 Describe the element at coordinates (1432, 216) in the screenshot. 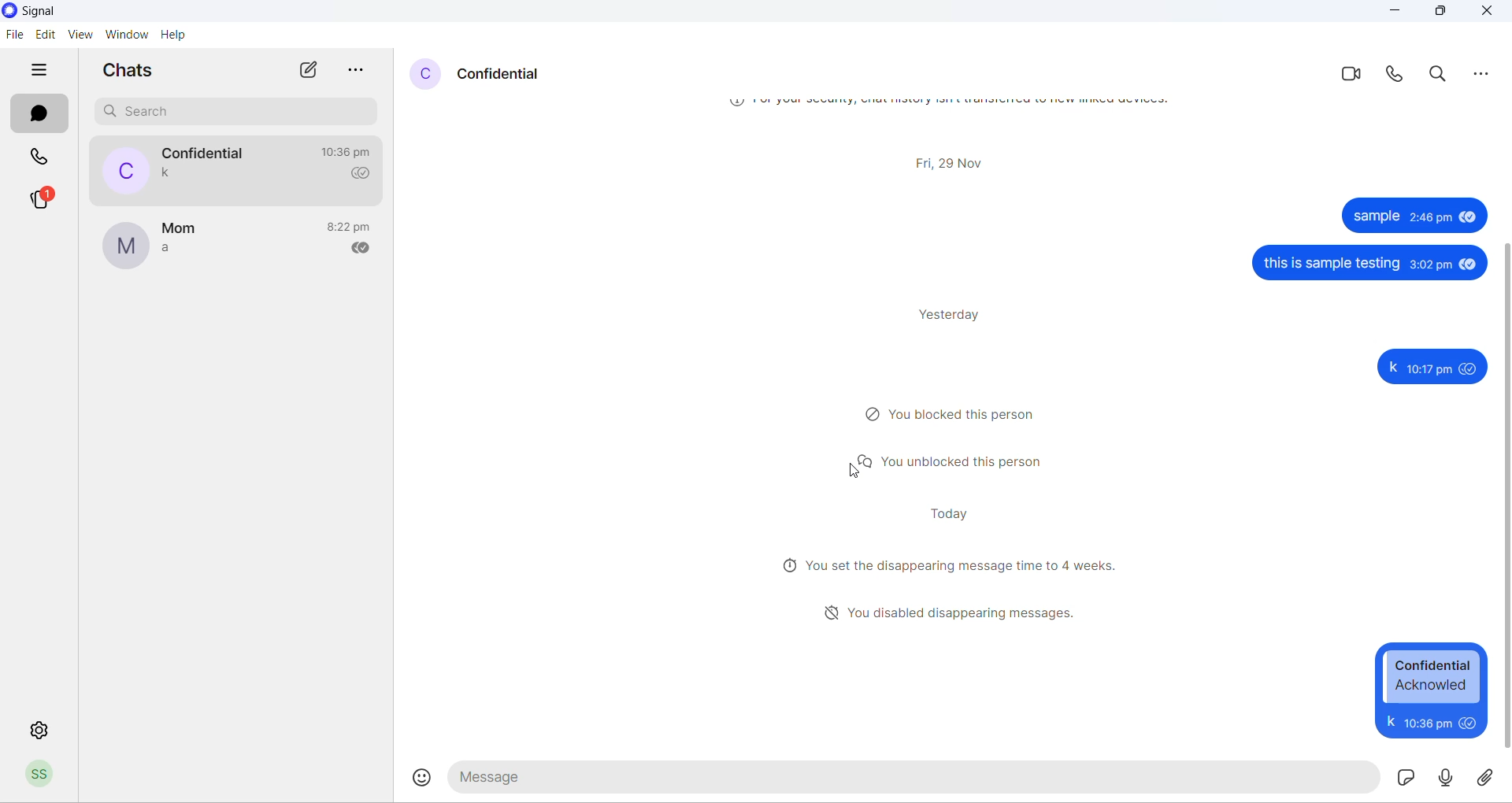

I see `2: 46 pm` at that location.